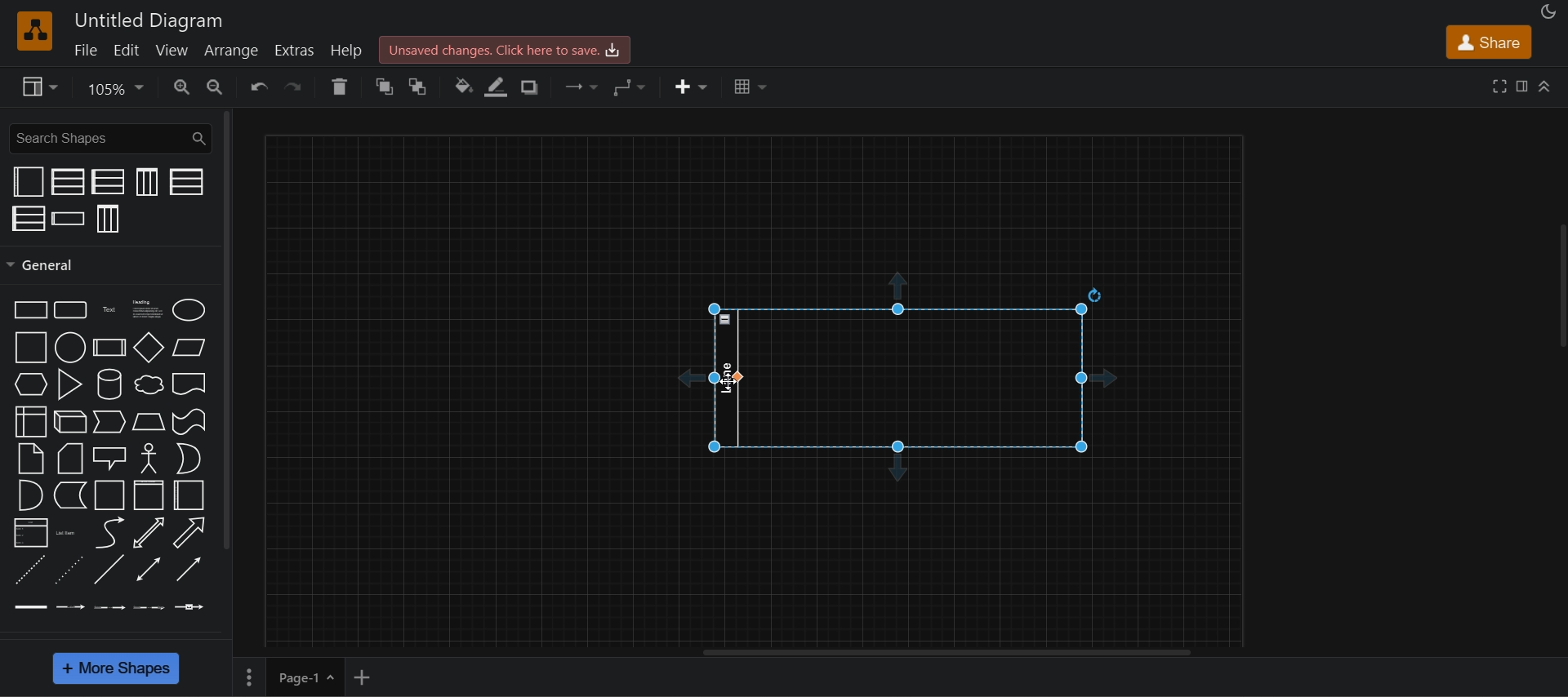 The image size is (1568, 697). What do you see at coordinates (1522, 84) in the screenshot?
I see `format` at bounding box center [1522, 84].